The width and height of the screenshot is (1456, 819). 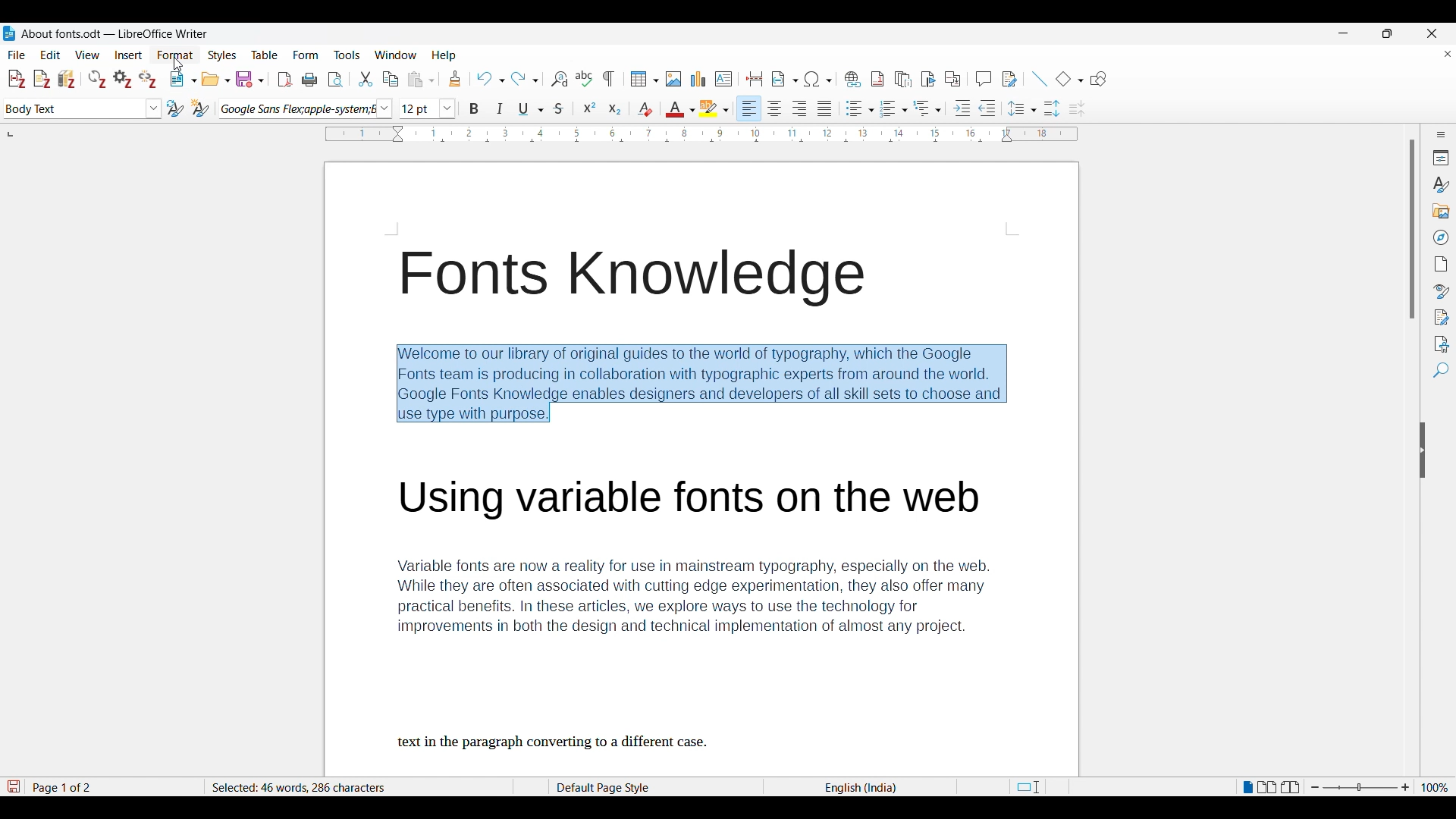 I want to click on Styles, so click(x=1440, y=185).